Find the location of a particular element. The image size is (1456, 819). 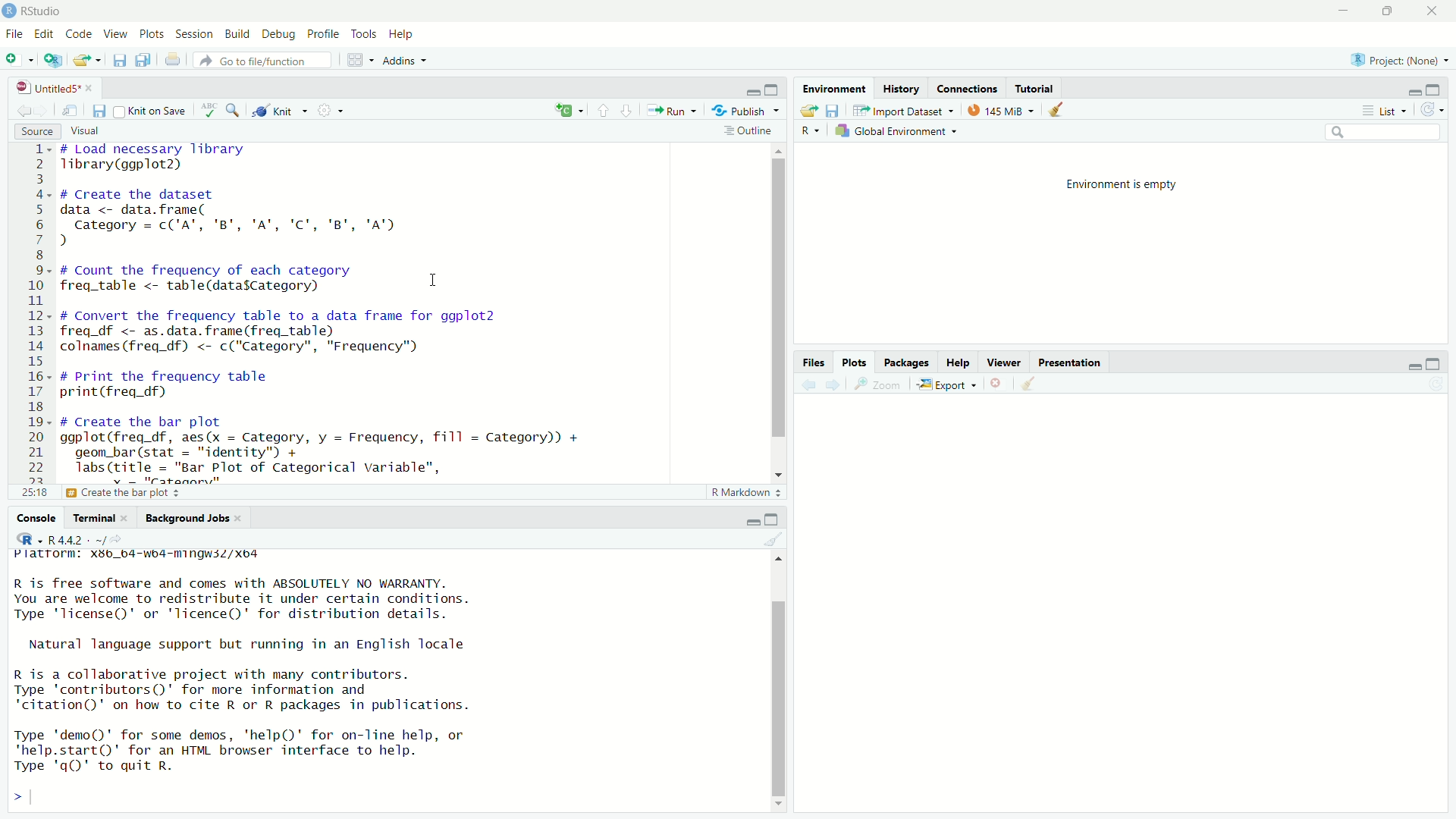

open in new window is located at coordinates (52, 61).